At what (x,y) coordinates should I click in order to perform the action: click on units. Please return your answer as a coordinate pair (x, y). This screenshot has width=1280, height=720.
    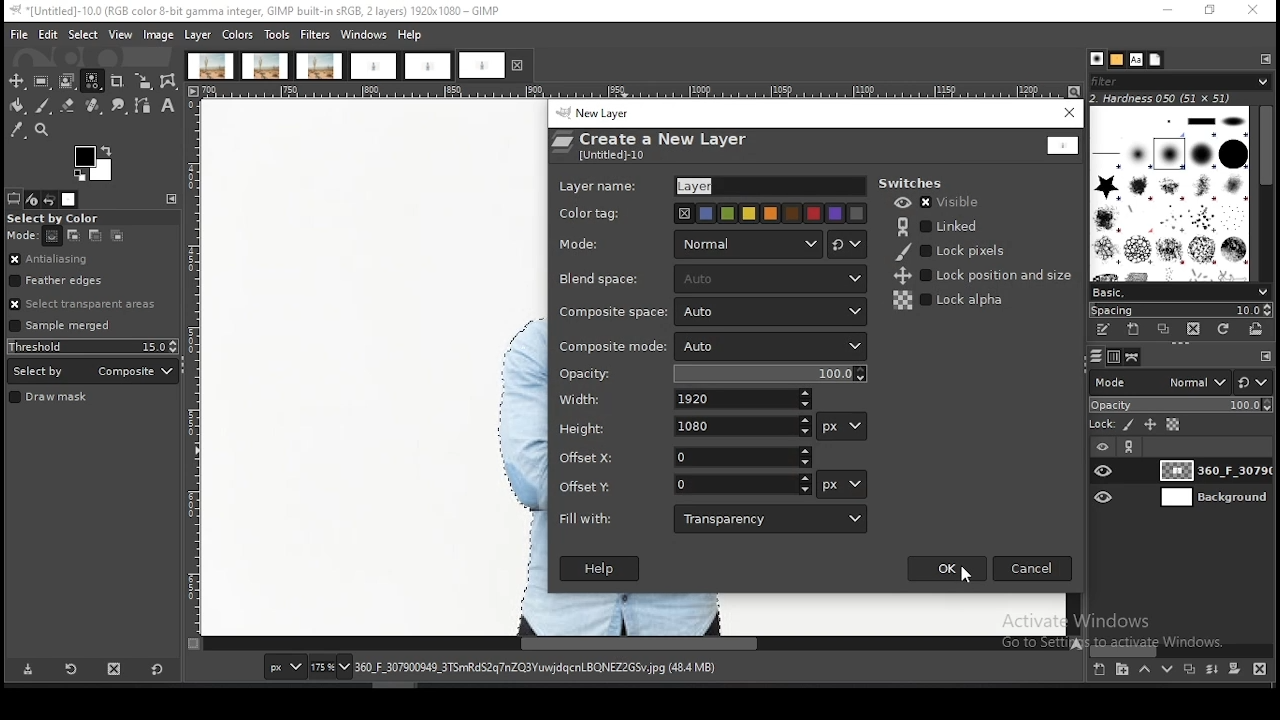
    Looking at the image, I should click on (842, 484).